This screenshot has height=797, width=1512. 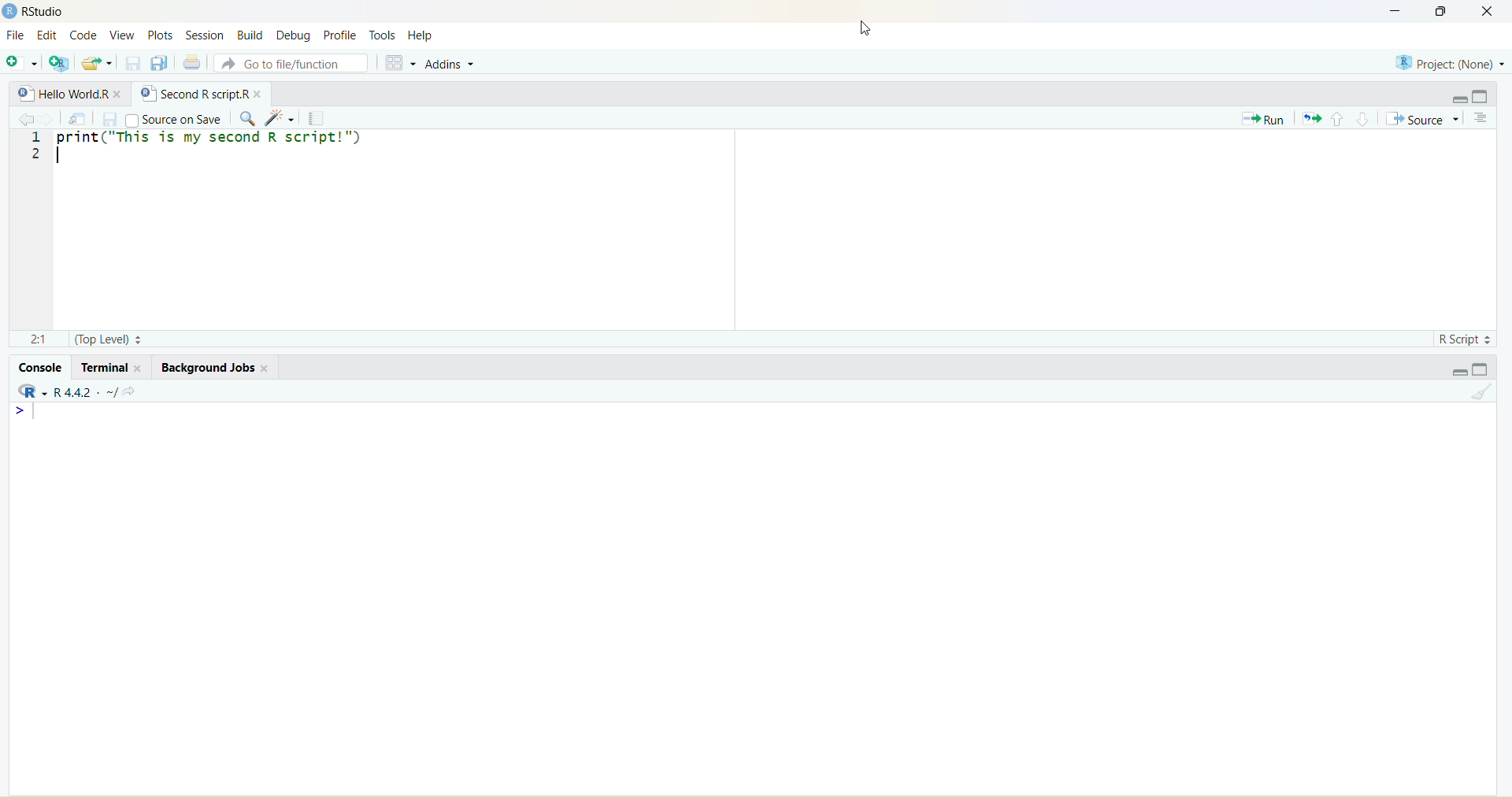 What do you see at coordinates (110, 340) in the screenshot?
I see `(Top level)` at bounding box center [110, 340].